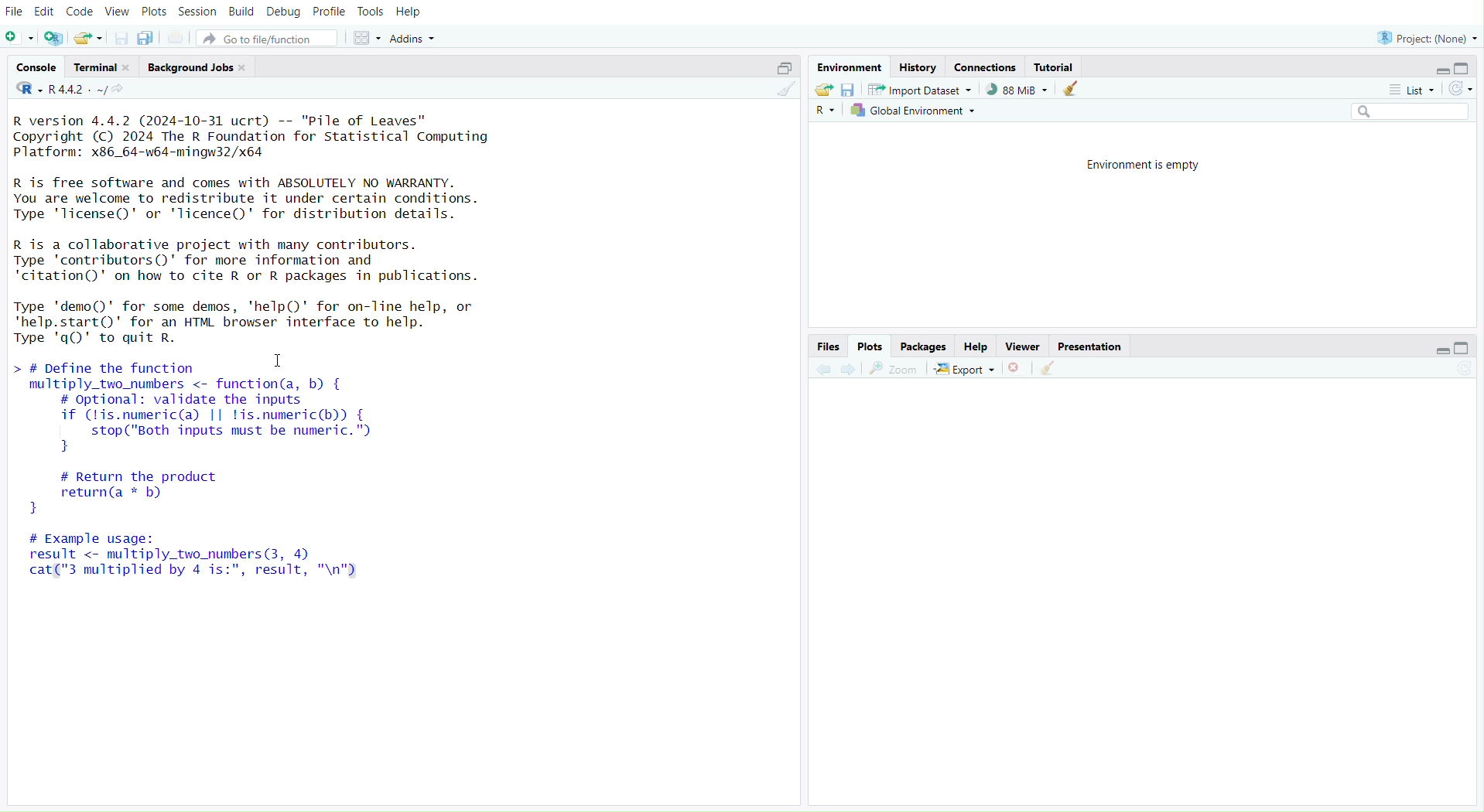 Image resolution: width=1484 pixels, height=812 pixels. I want to click on Session, so click(199, 12).